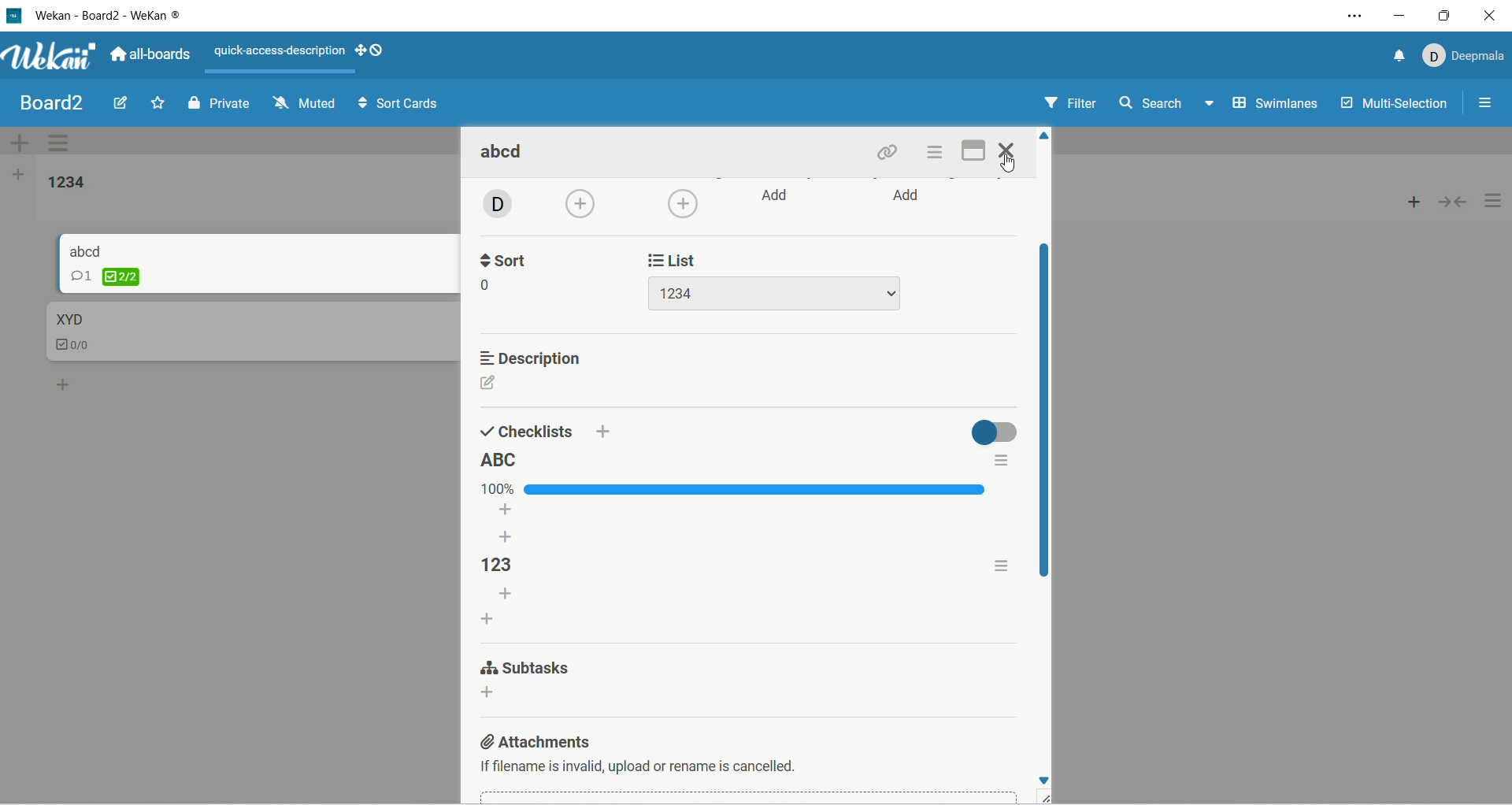 This screenshot has height=805, width=1512. I want to click on options, so click(1003, 566).